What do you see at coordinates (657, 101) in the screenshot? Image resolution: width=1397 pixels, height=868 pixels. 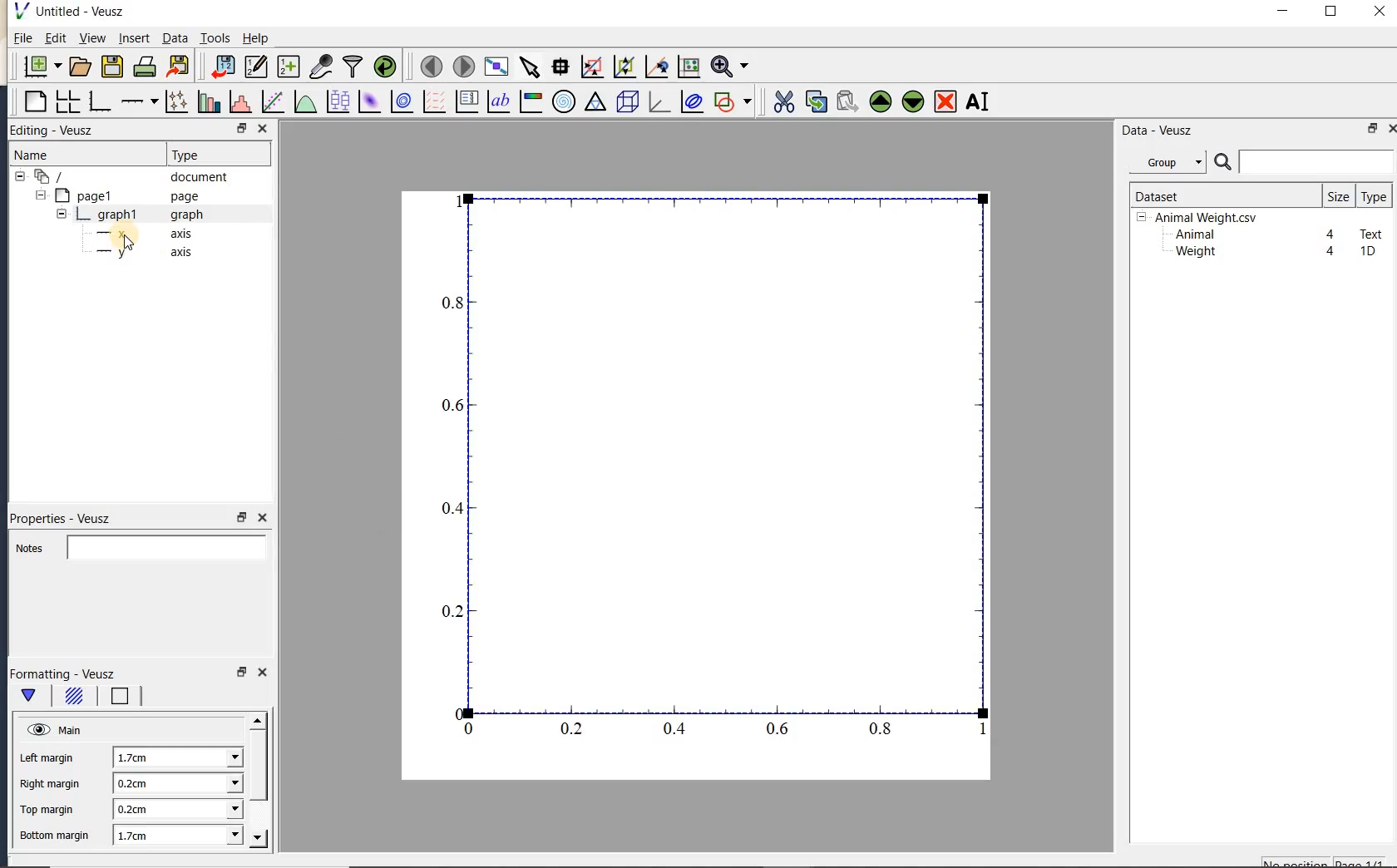 I see `3d graph` at bounding box center [657, 101].